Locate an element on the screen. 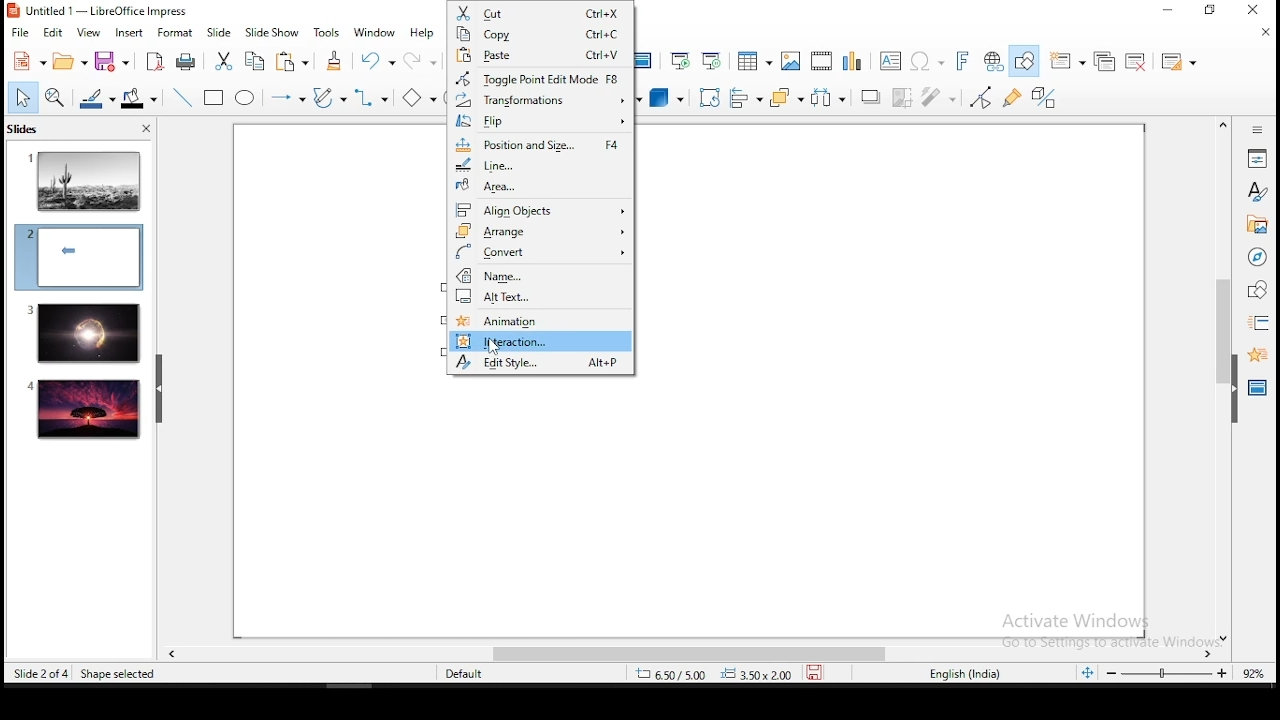 The image size is (1280, 720). line is located at coordinates (180, 98).